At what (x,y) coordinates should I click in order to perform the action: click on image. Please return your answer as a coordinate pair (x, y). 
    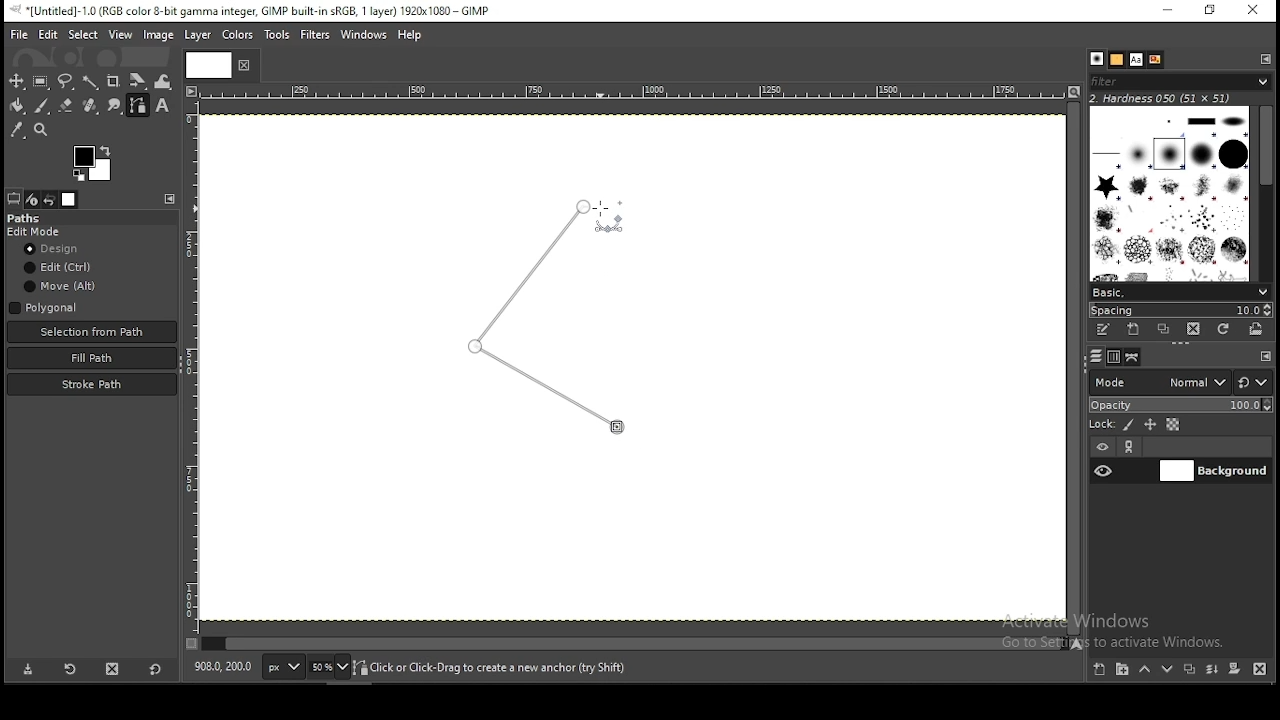
    Looking at the image, I should click on (160, 36).